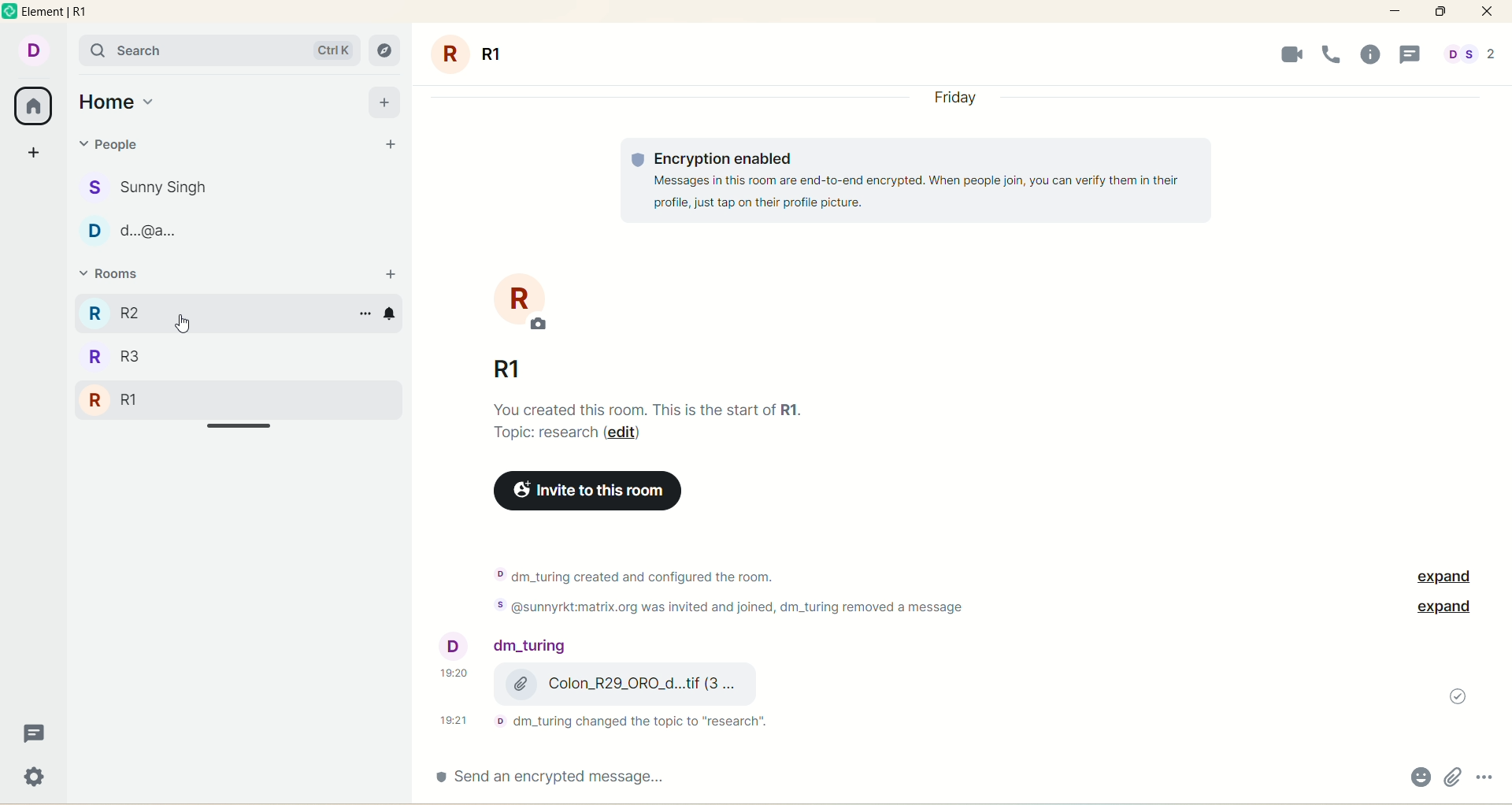  I want to click on options, so click(1487, 773).